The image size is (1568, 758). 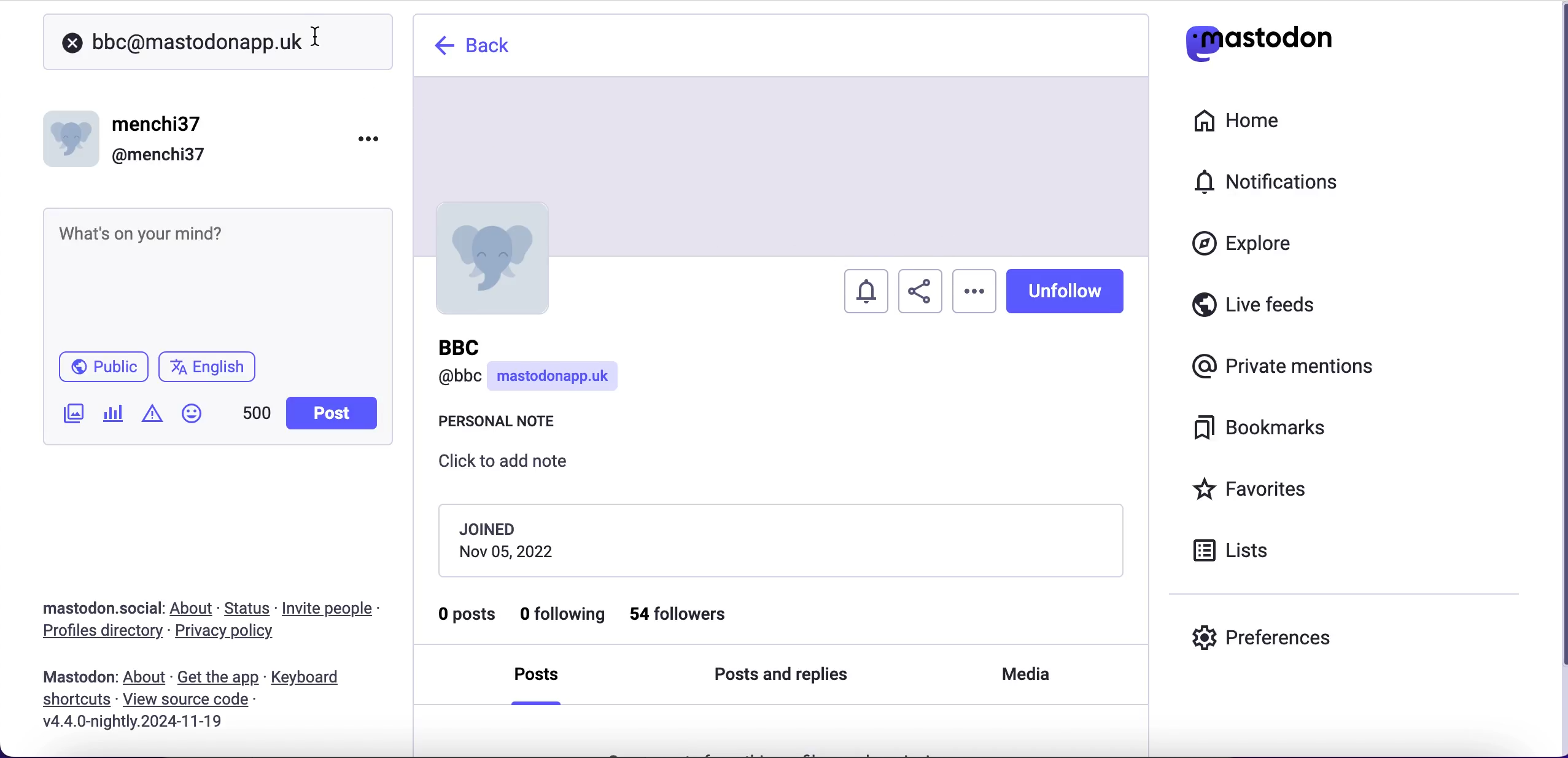 What do you see at coordinates (155, 415) in the screenshot?
I see `add content warning` at bounding box center [155, 415].